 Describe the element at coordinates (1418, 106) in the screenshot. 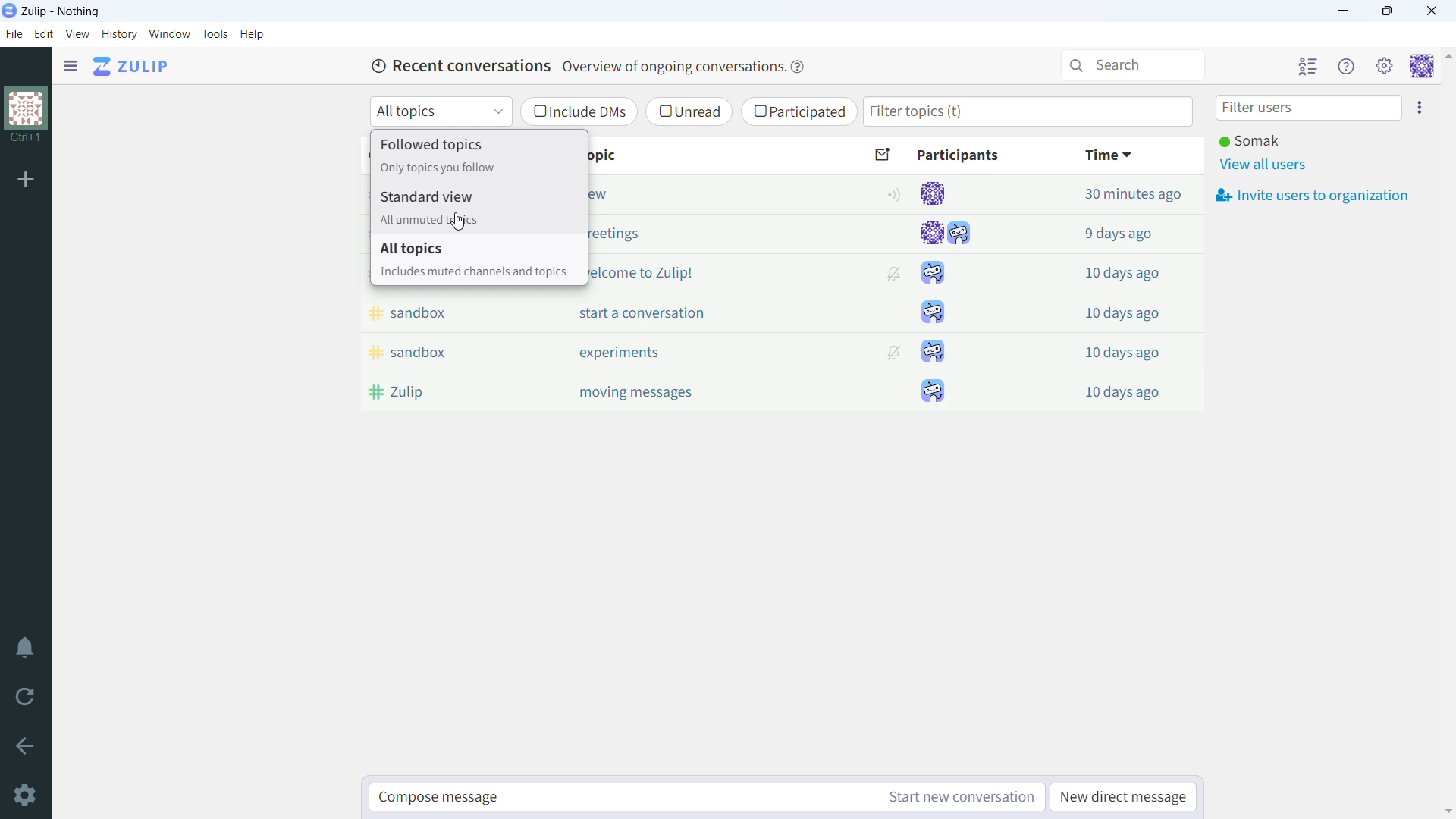

I see `invite users` at that location.